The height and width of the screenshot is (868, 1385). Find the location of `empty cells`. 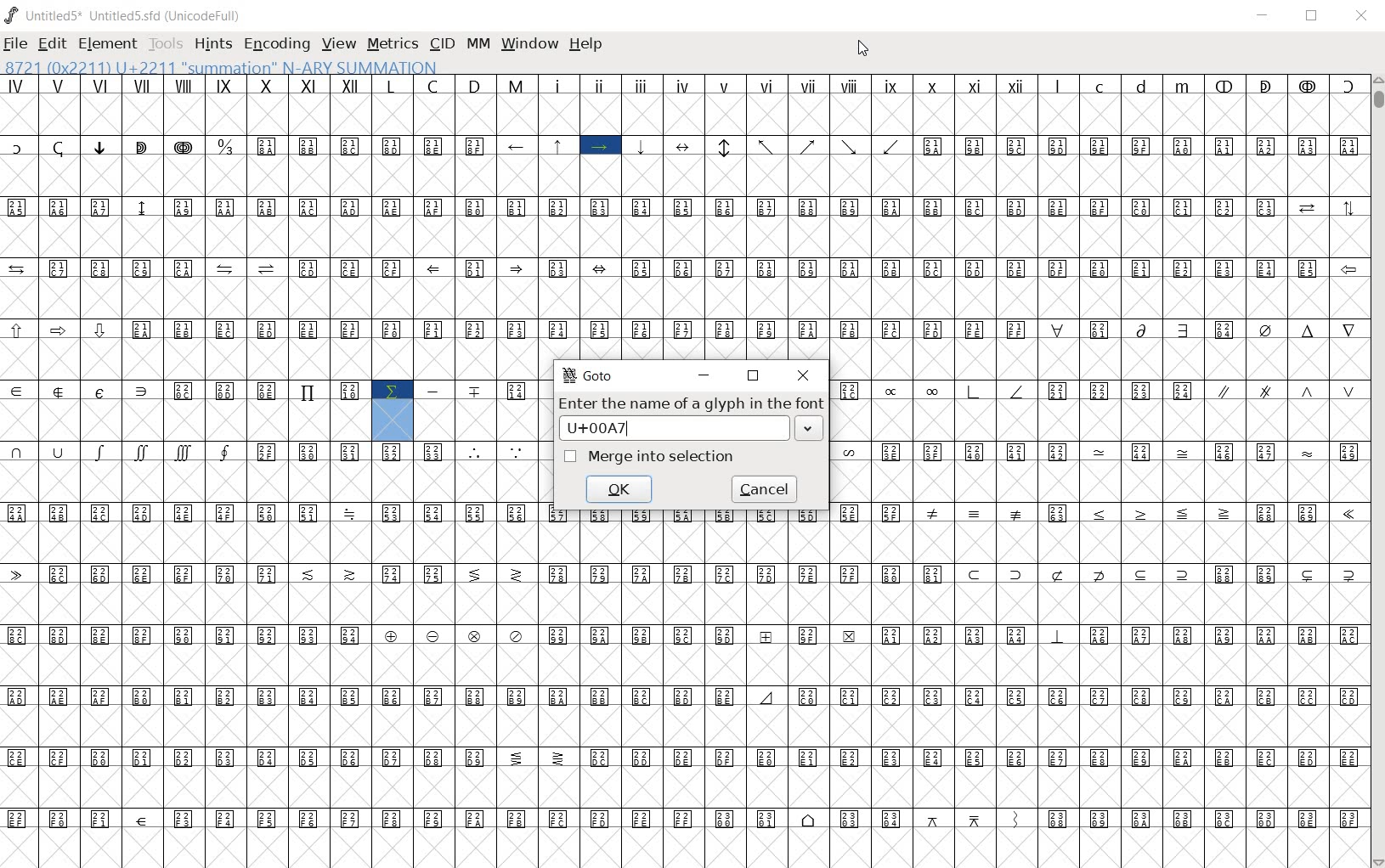

empty cells is located at coordinates (687, 179).